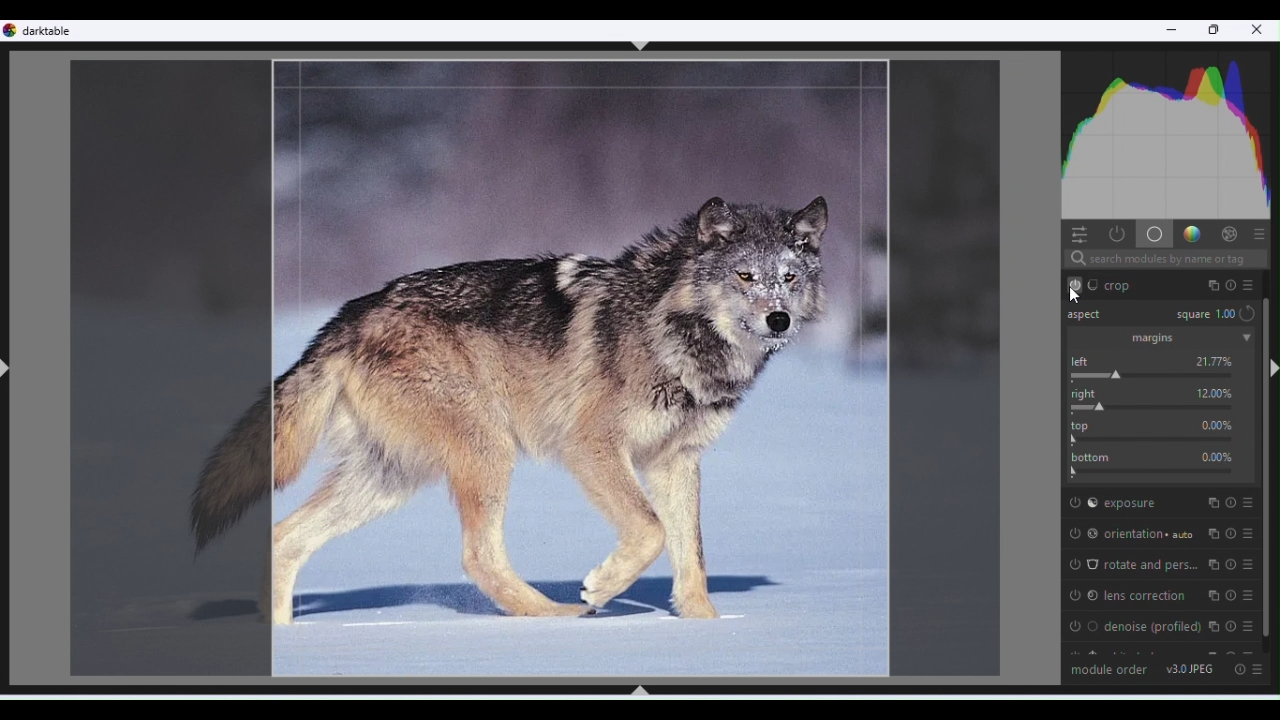 This screenshot has height=720, width=1280. I want to click on deNoise, so click(1165, 626).